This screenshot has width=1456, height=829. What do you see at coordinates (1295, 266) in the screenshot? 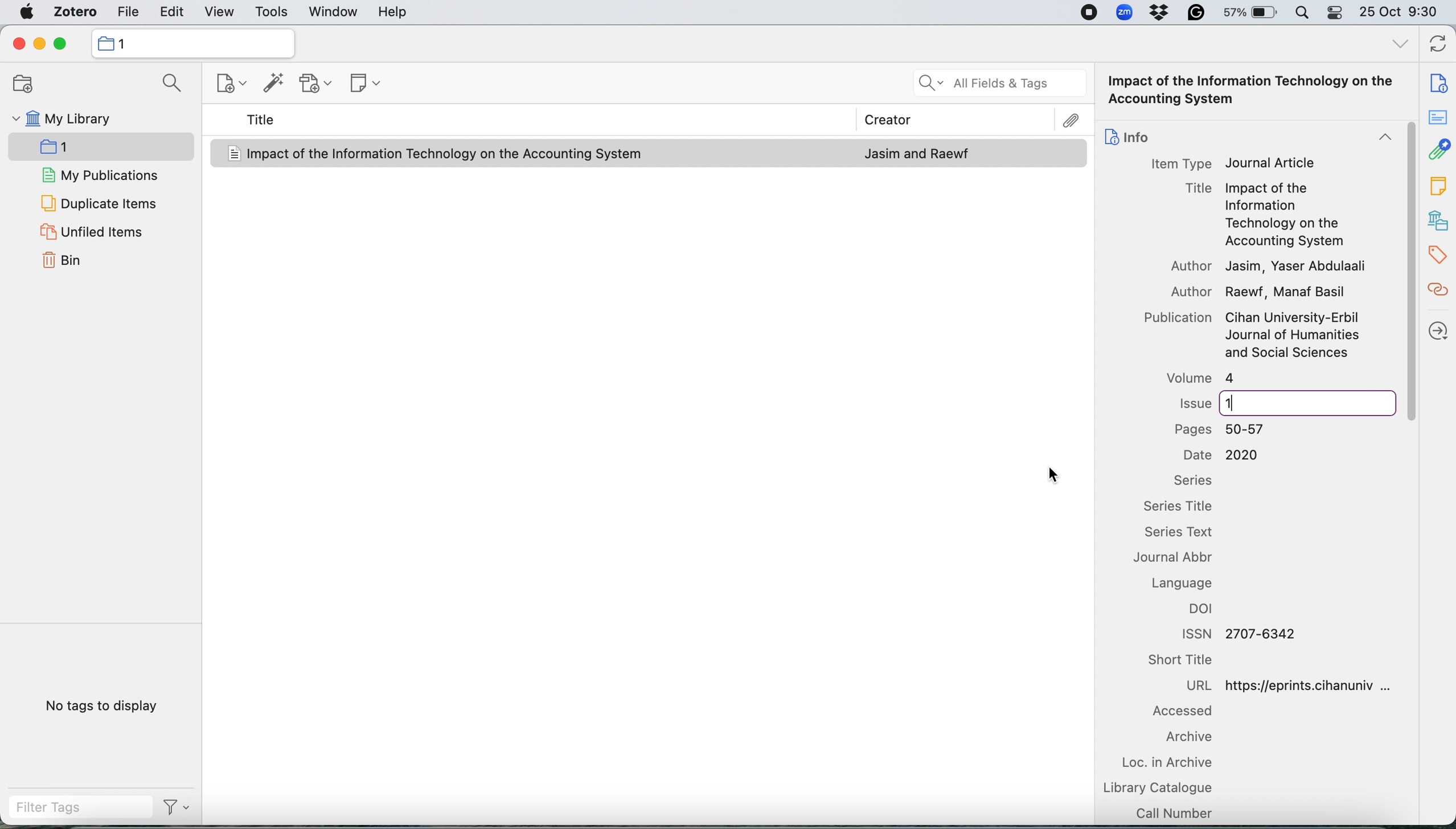
I see `Jasim, Yaser Abdulaall` at bounding box center [1295, 266].